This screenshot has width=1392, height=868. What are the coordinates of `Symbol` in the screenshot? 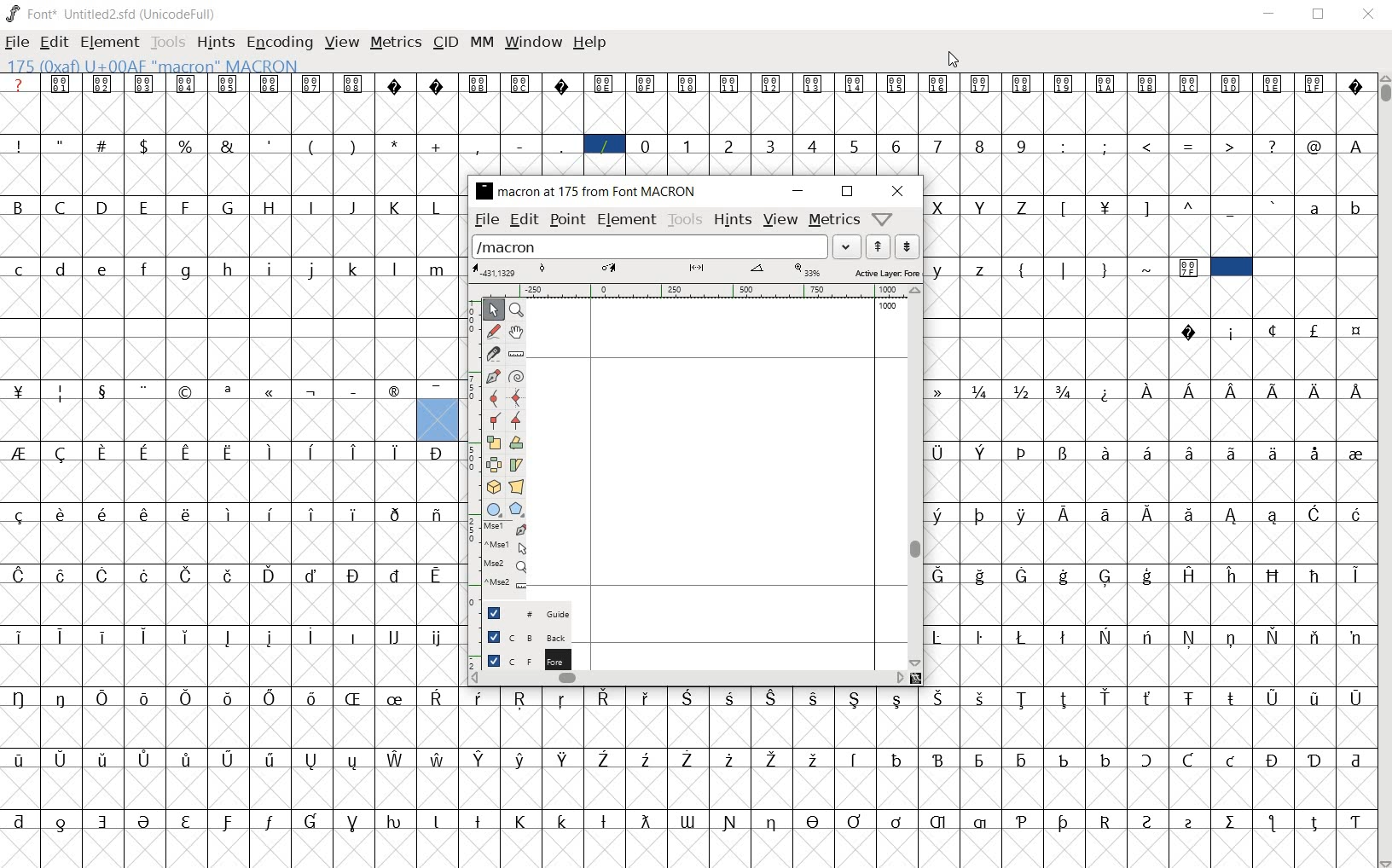 It's located at (314, 820).